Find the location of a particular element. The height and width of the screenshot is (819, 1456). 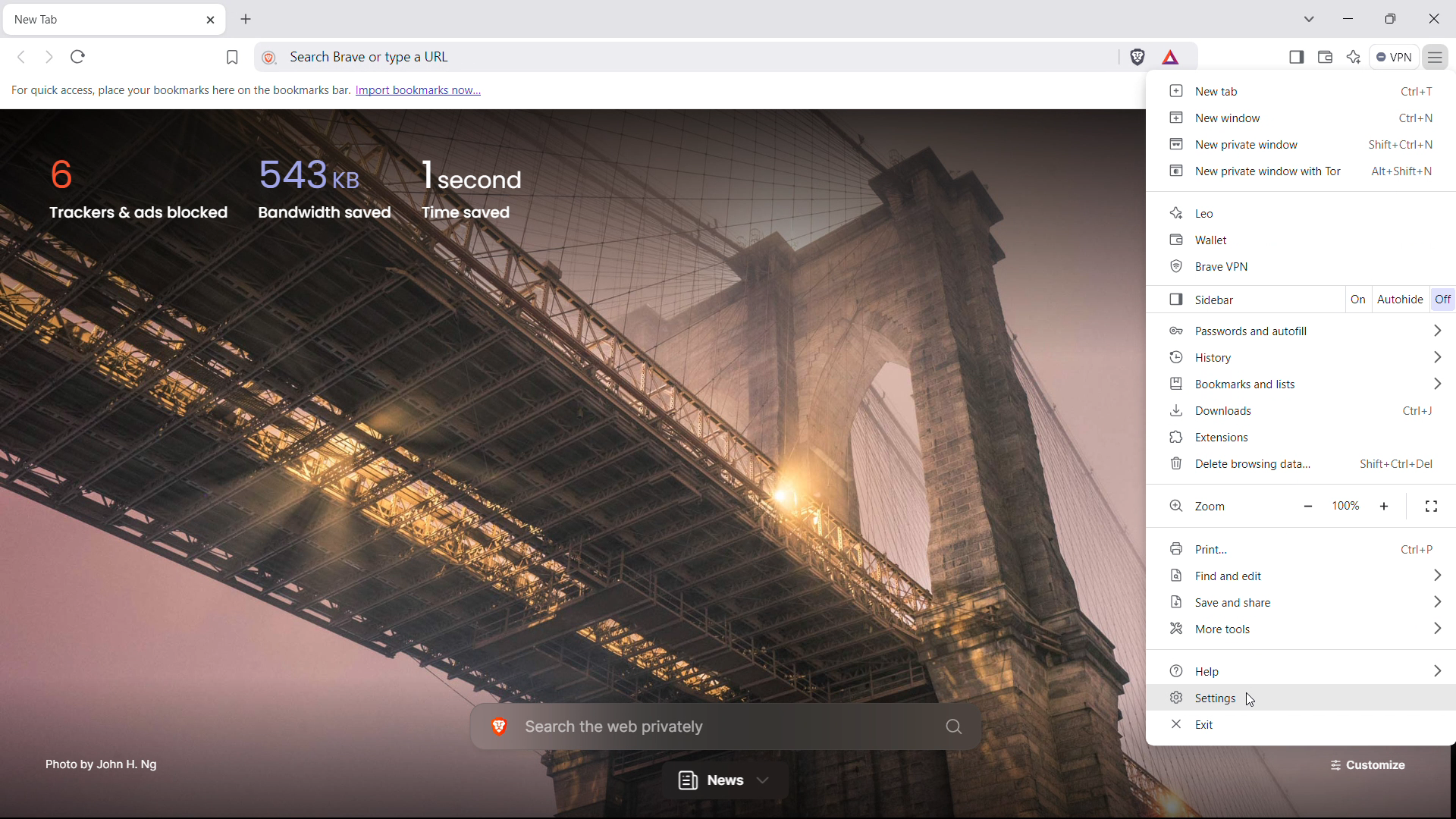

more tools is located at coordinates (1303, 629).